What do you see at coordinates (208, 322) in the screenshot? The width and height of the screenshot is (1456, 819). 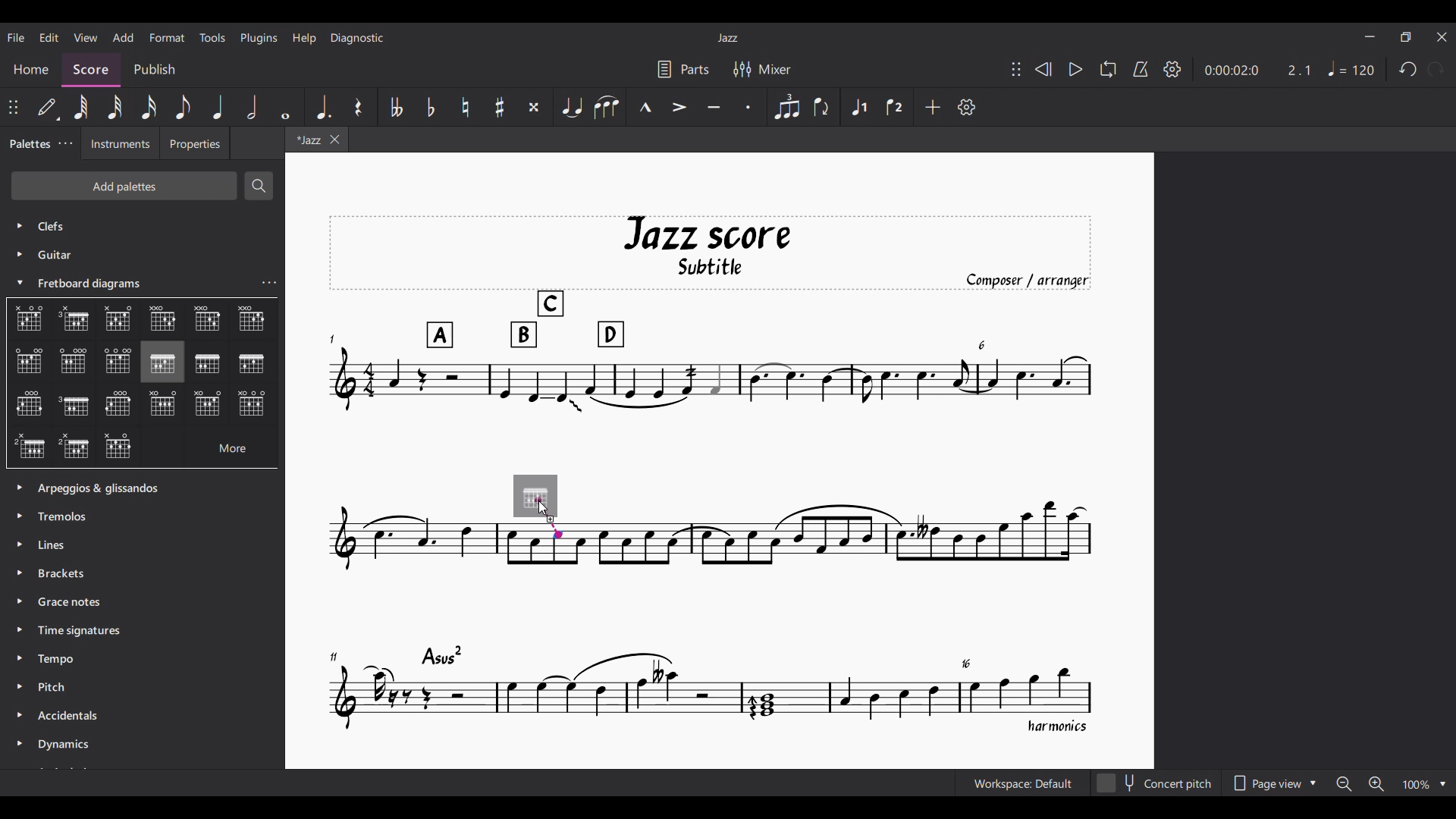 I see `Chart5` at bounding box center [208, 322].